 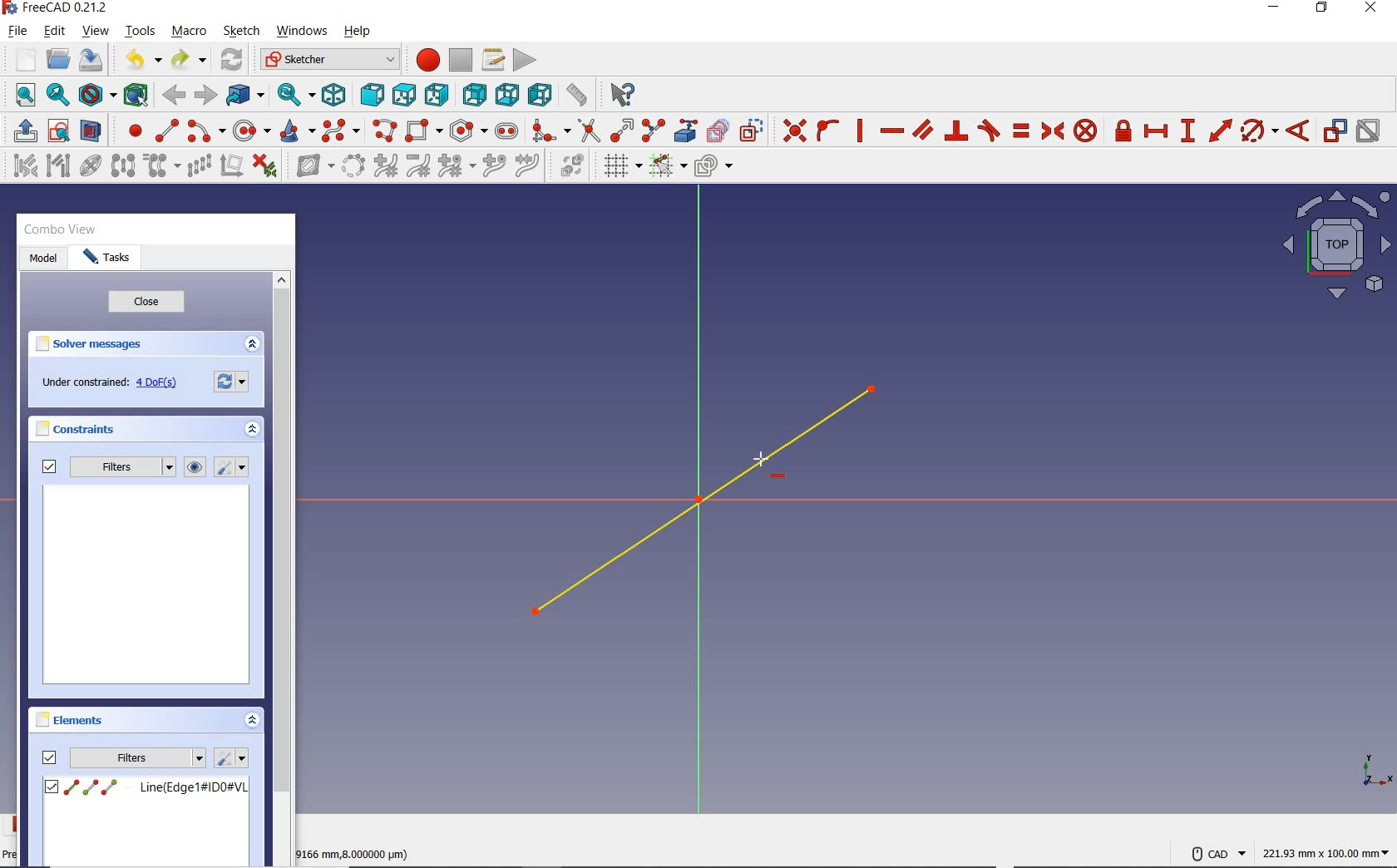 I want to click on CREATE CONIC, so click(x=296, y=131).